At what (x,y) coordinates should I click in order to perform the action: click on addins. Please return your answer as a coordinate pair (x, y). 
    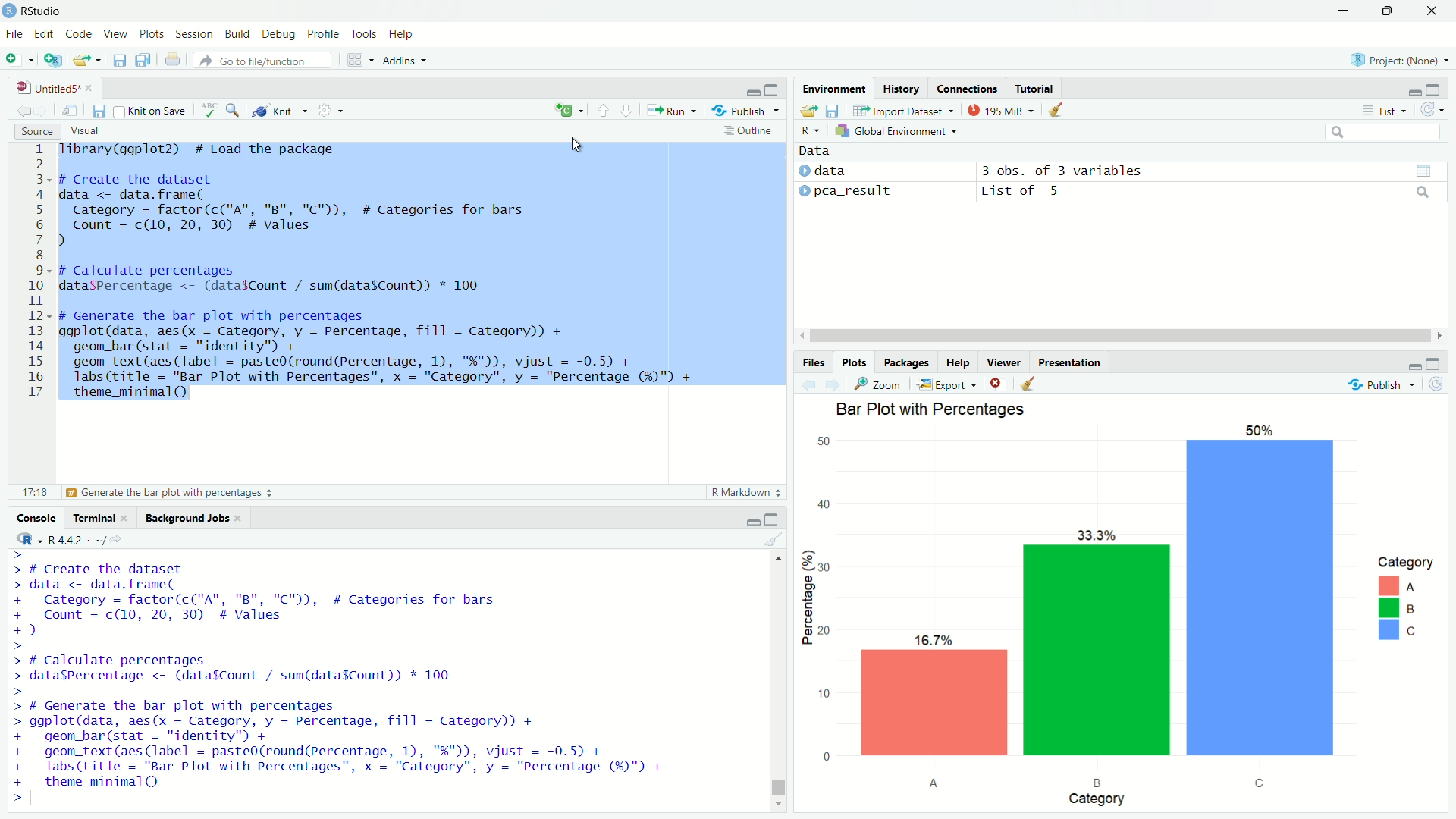
    Looking at the image, I should click on (403, 60).